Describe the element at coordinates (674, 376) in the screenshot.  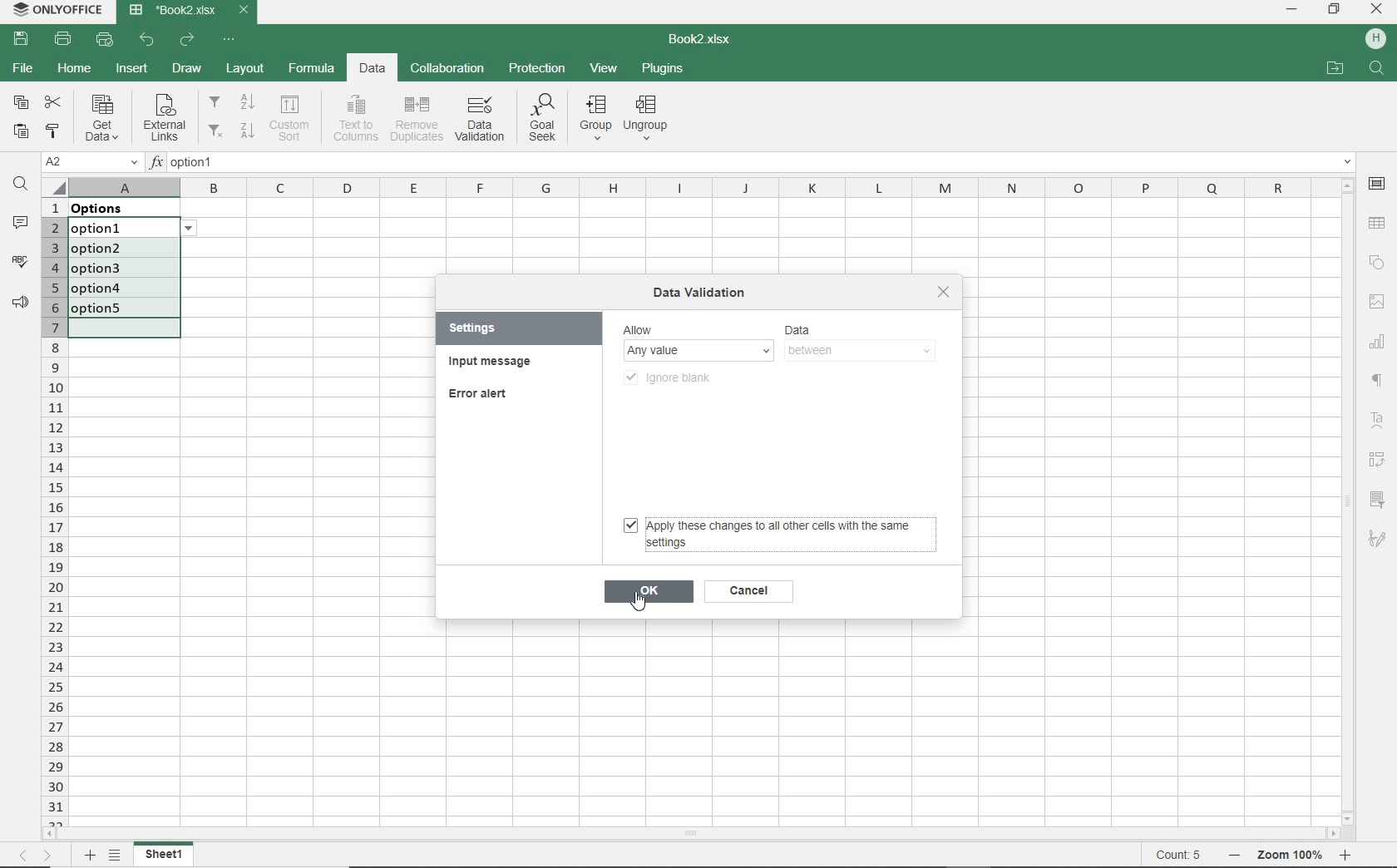
I see `ignore blank` at that location.